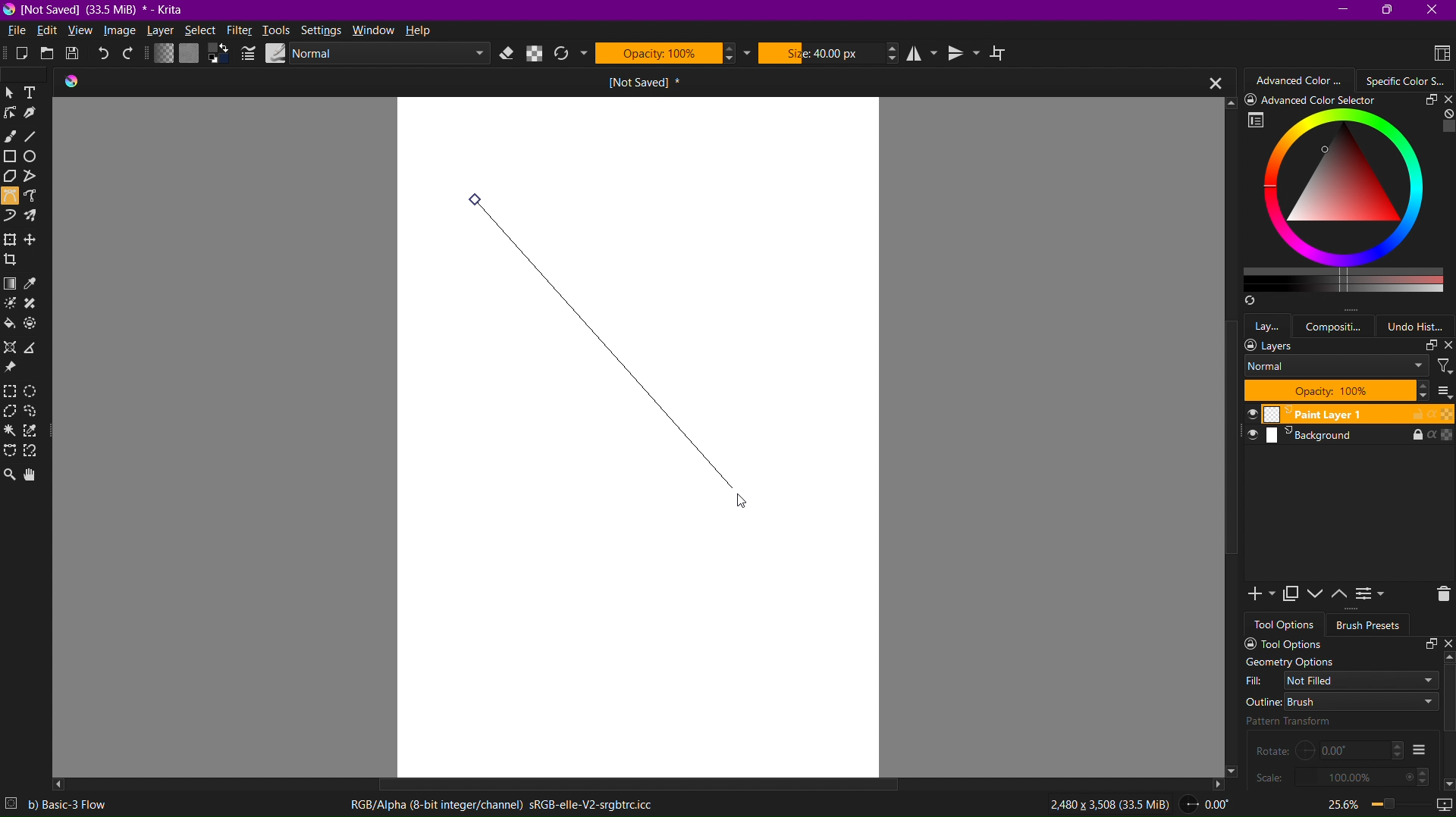 This screenshot has width=1456, height=817. I want to click on Left, so click(60, 784).